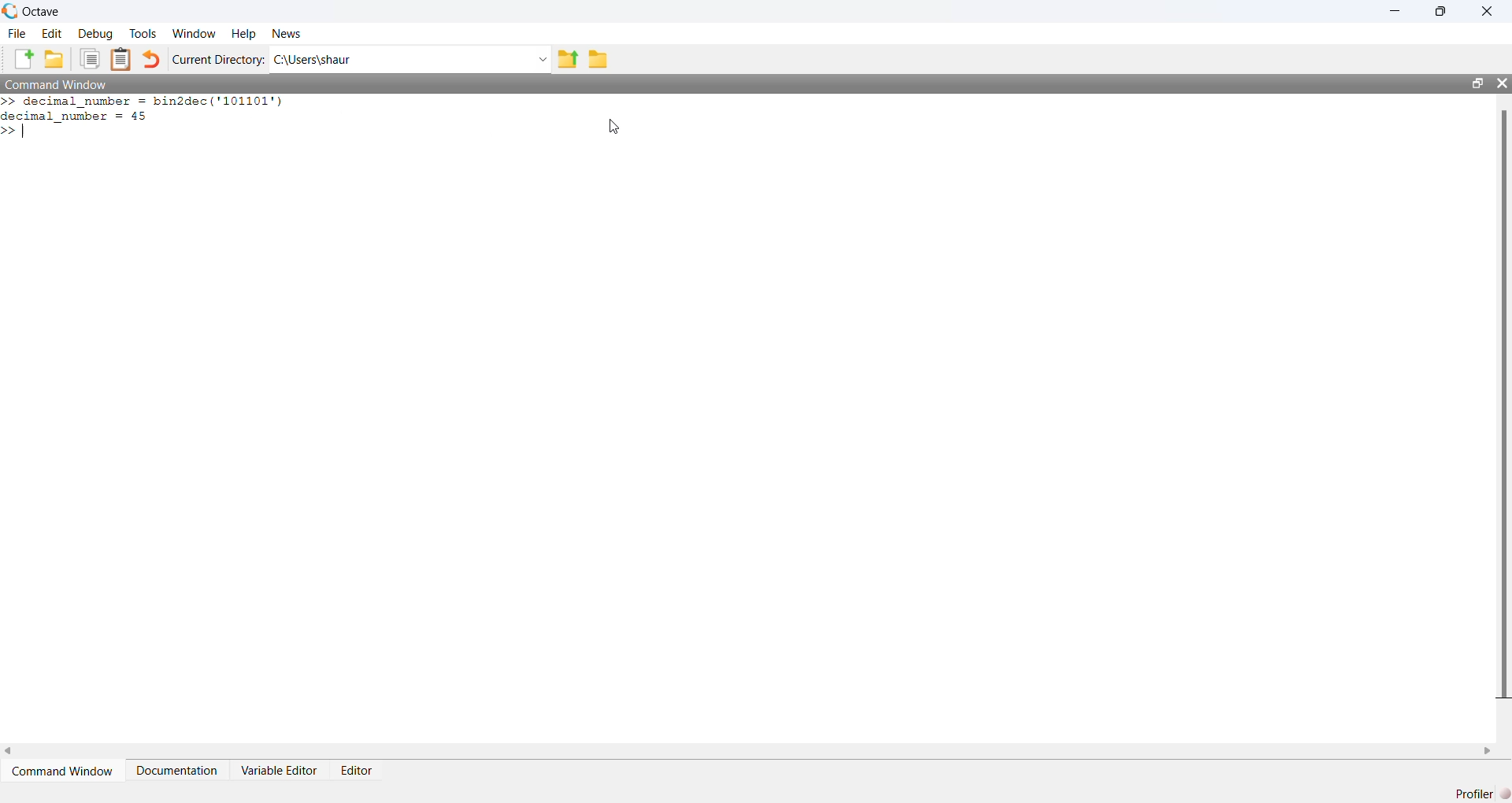  I want to click on file, so click(18, 33).